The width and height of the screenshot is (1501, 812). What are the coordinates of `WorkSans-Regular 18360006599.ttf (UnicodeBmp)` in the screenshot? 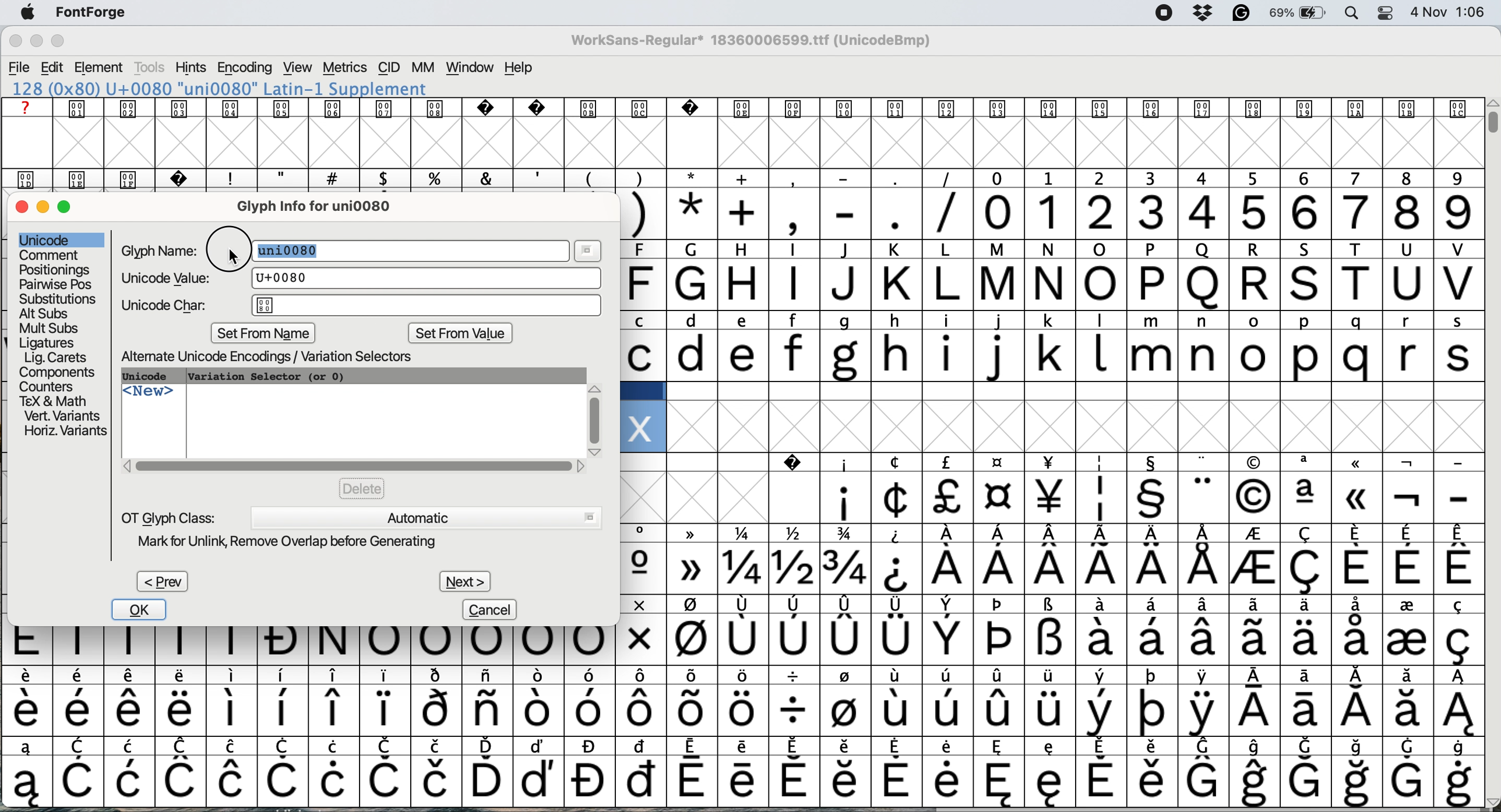 It's located at (756, 43).